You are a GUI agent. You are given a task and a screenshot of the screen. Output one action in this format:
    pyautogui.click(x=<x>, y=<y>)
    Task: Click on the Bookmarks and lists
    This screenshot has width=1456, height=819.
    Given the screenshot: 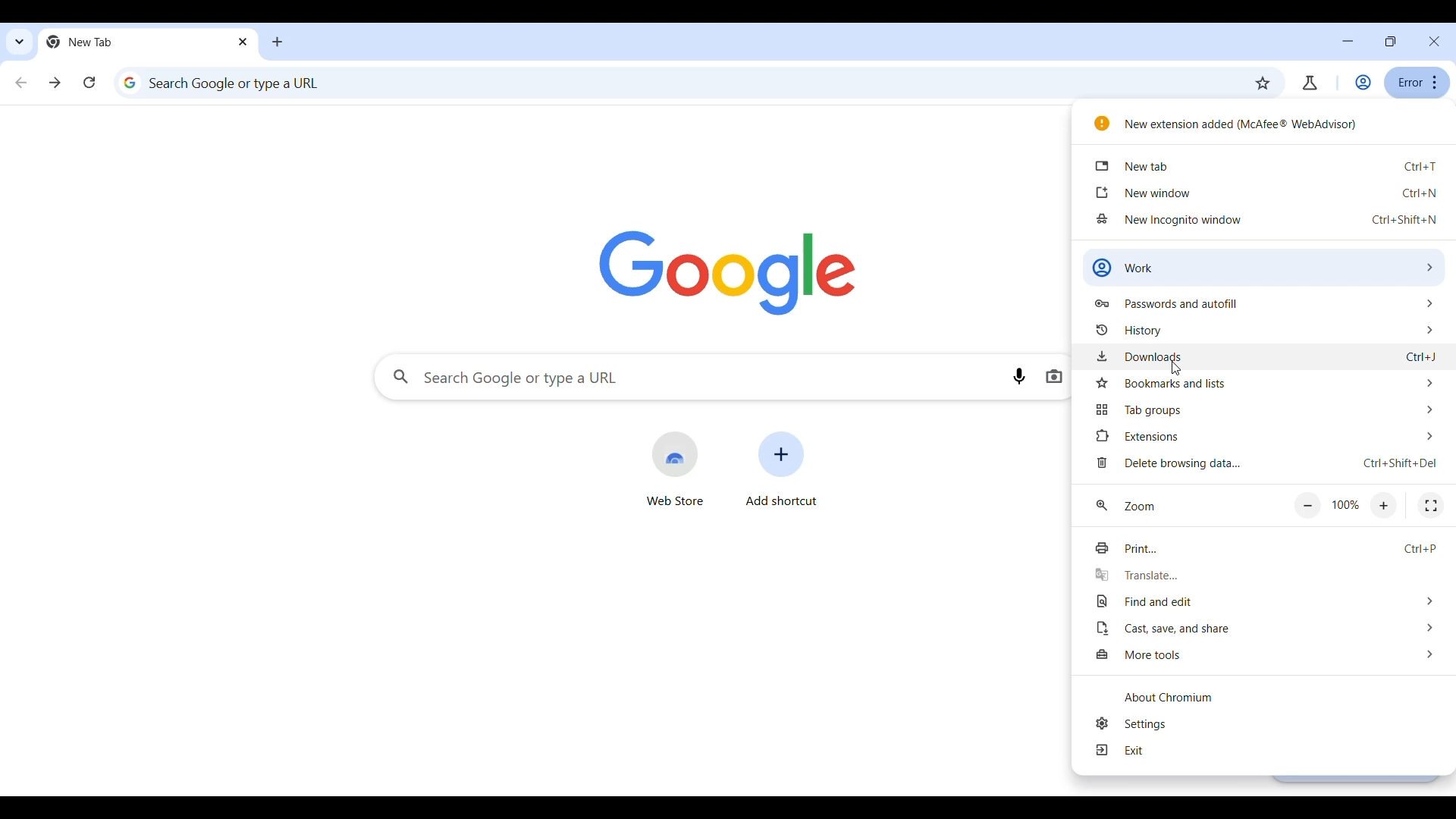 What is the action you would take?
    pyautogui.click(x=1266, y=383)
    